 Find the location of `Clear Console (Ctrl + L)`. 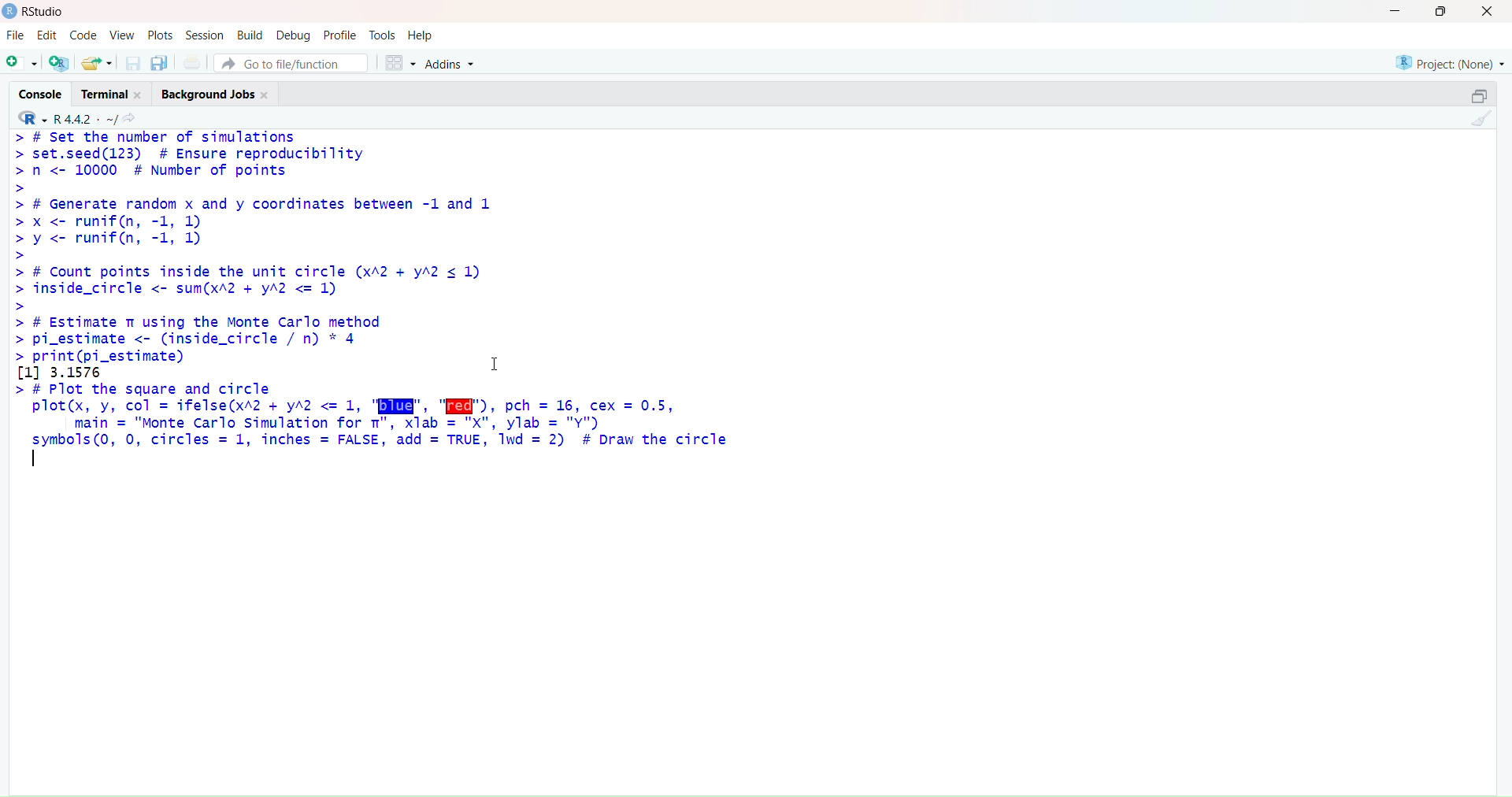

Clear Console (Ctrl + L) is located at coordinates (1482, 126).